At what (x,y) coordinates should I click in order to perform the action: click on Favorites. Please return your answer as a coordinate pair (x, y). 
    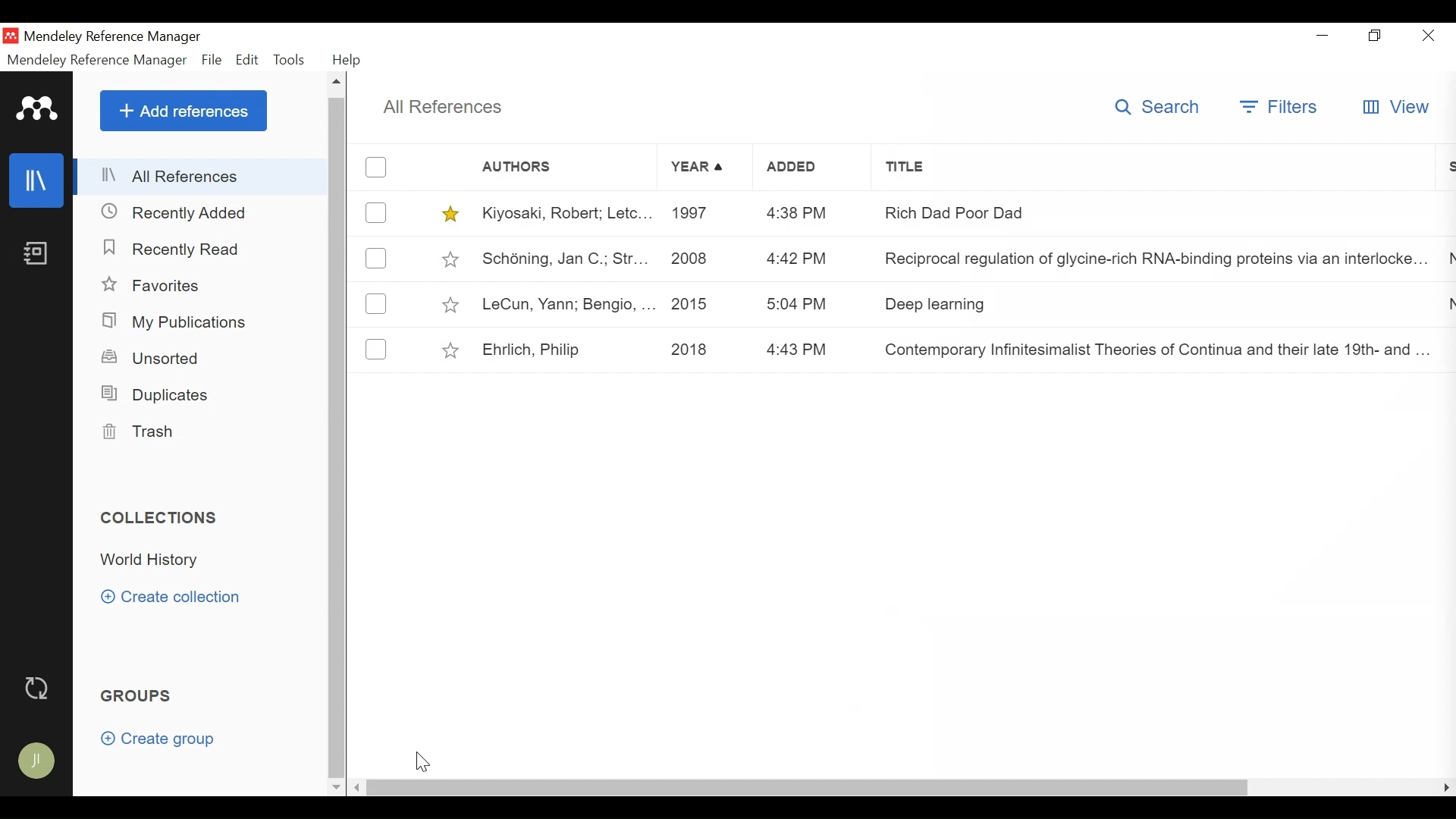
    Looking at the image, I should click on (152, 284).